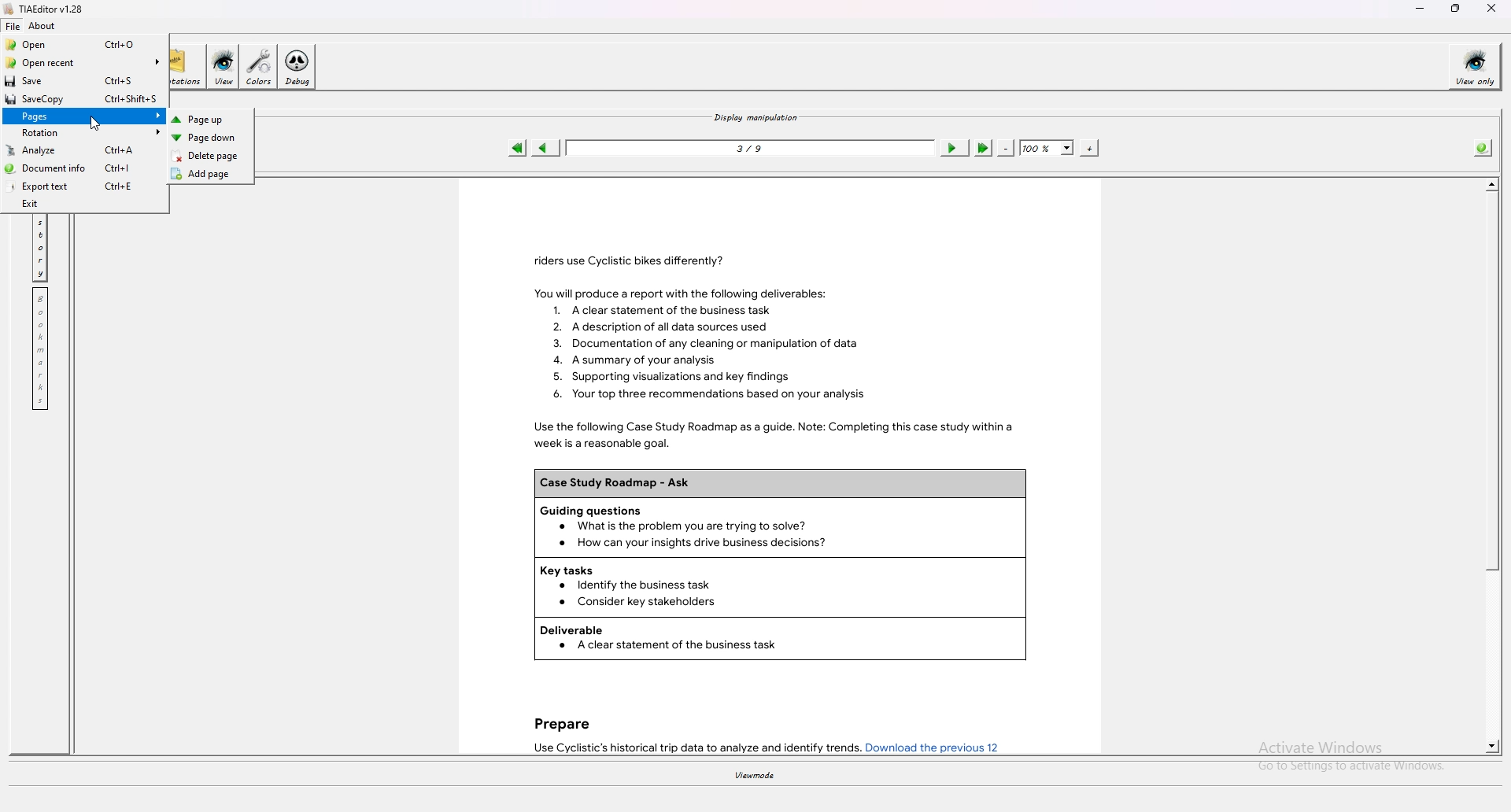 This screenshot has height=812, width=1511. Describe the element at coordinates (768, 435) in the screenshot. I see `Use the following Case Study Roadmap as a guide. Note: Completing this case study within a
week is a reasonable goal.` at that location.